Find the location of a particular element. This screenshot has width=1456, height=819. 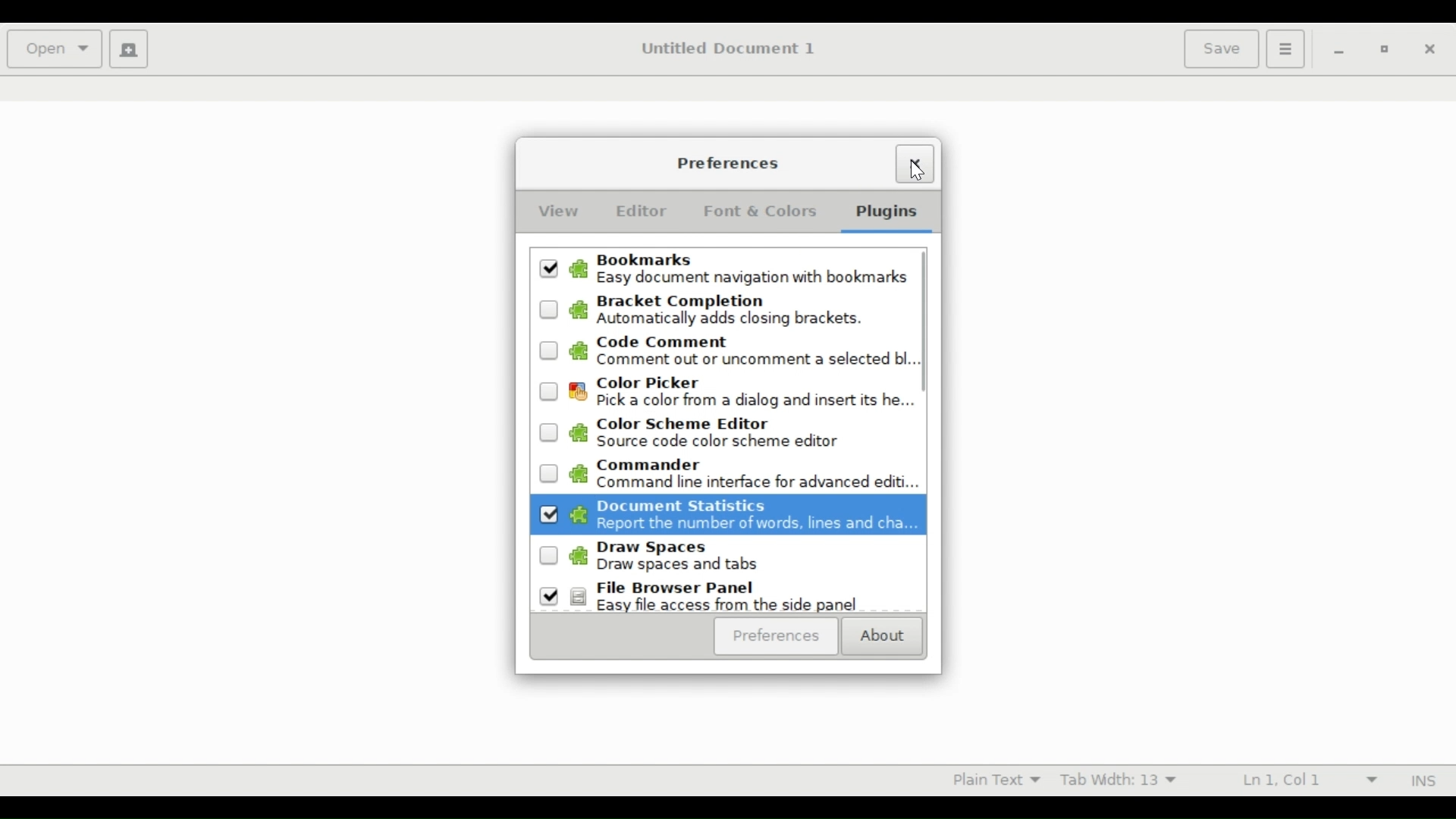

Unselected is located at coordinates (548, 513).